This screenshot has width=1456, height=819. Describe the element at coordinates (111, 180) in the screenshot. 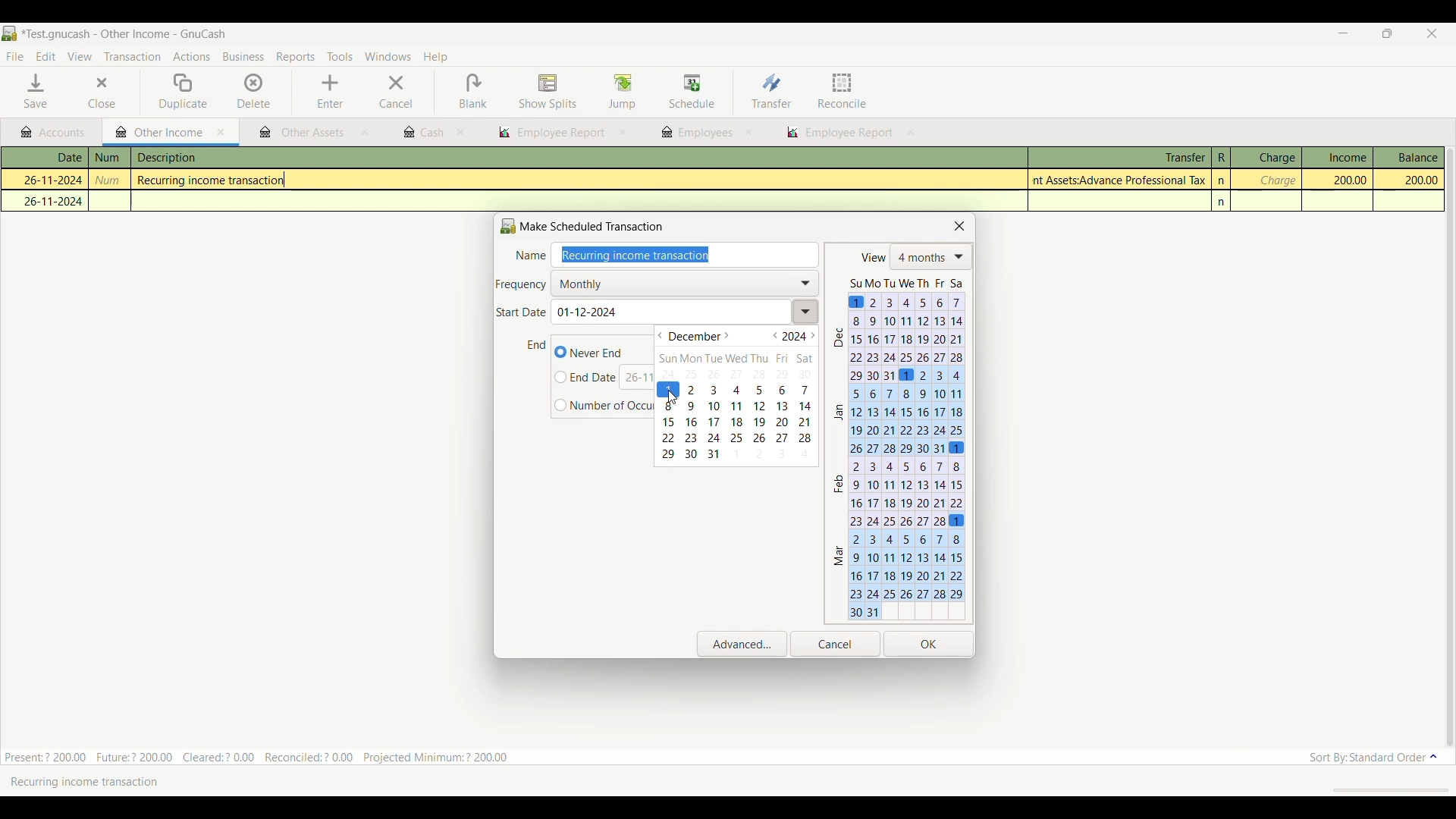

I see `num` at that location.